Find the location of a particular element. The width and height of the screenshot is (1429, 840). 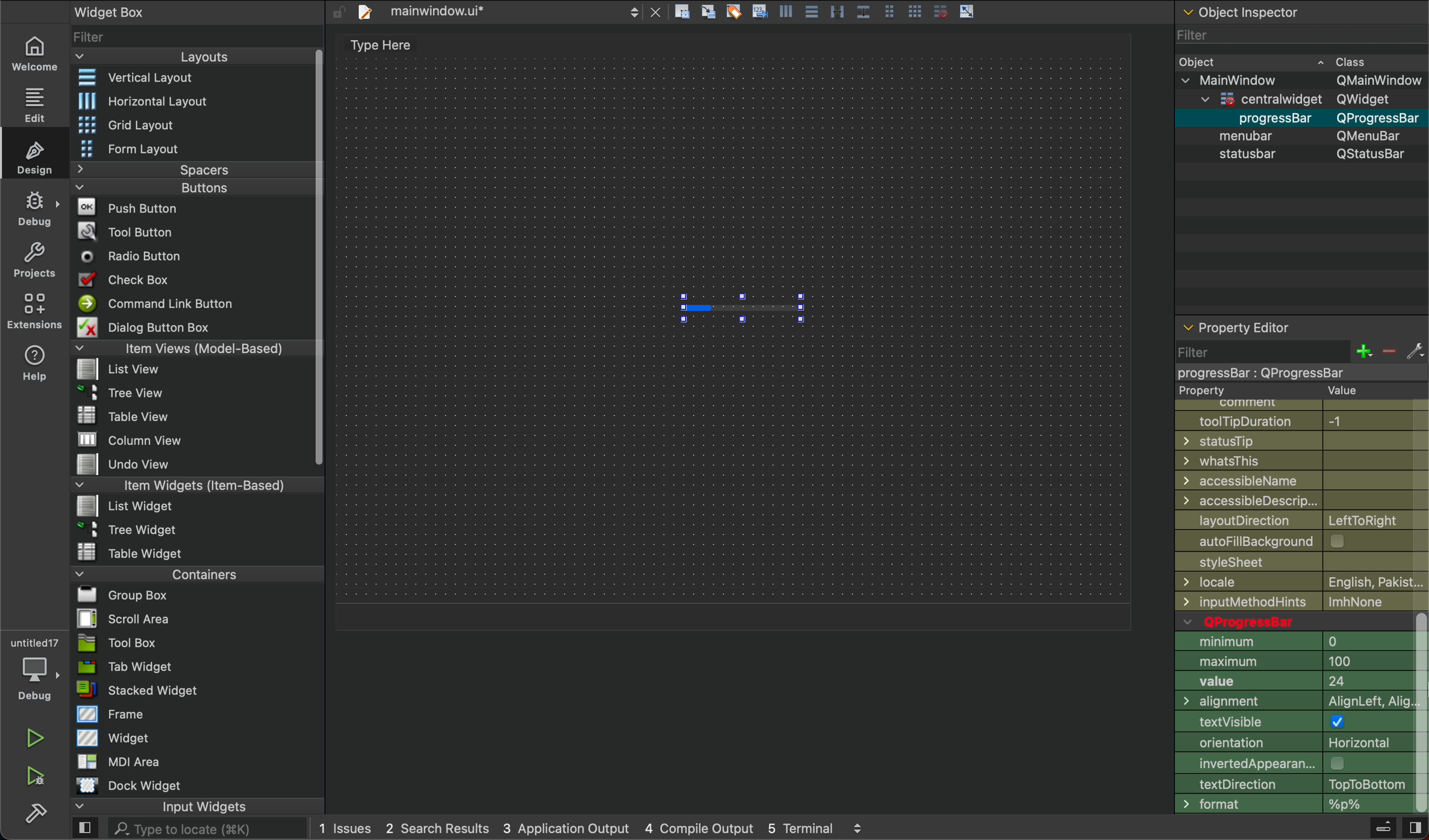

Frame is located at coordinates (112, 714).